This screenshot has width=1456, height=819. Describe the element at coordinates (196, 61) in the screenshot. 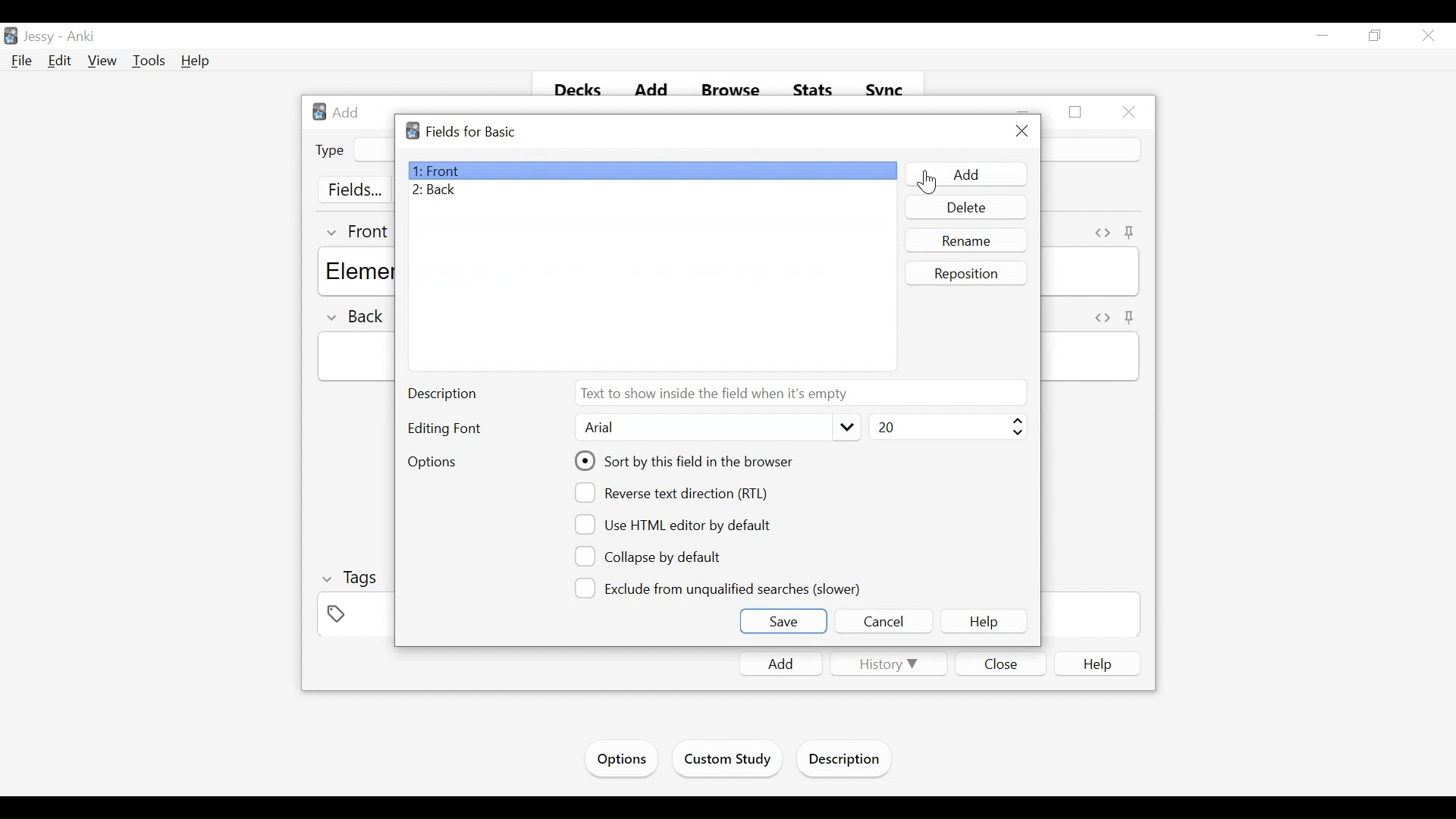

I see `Help` at that location.